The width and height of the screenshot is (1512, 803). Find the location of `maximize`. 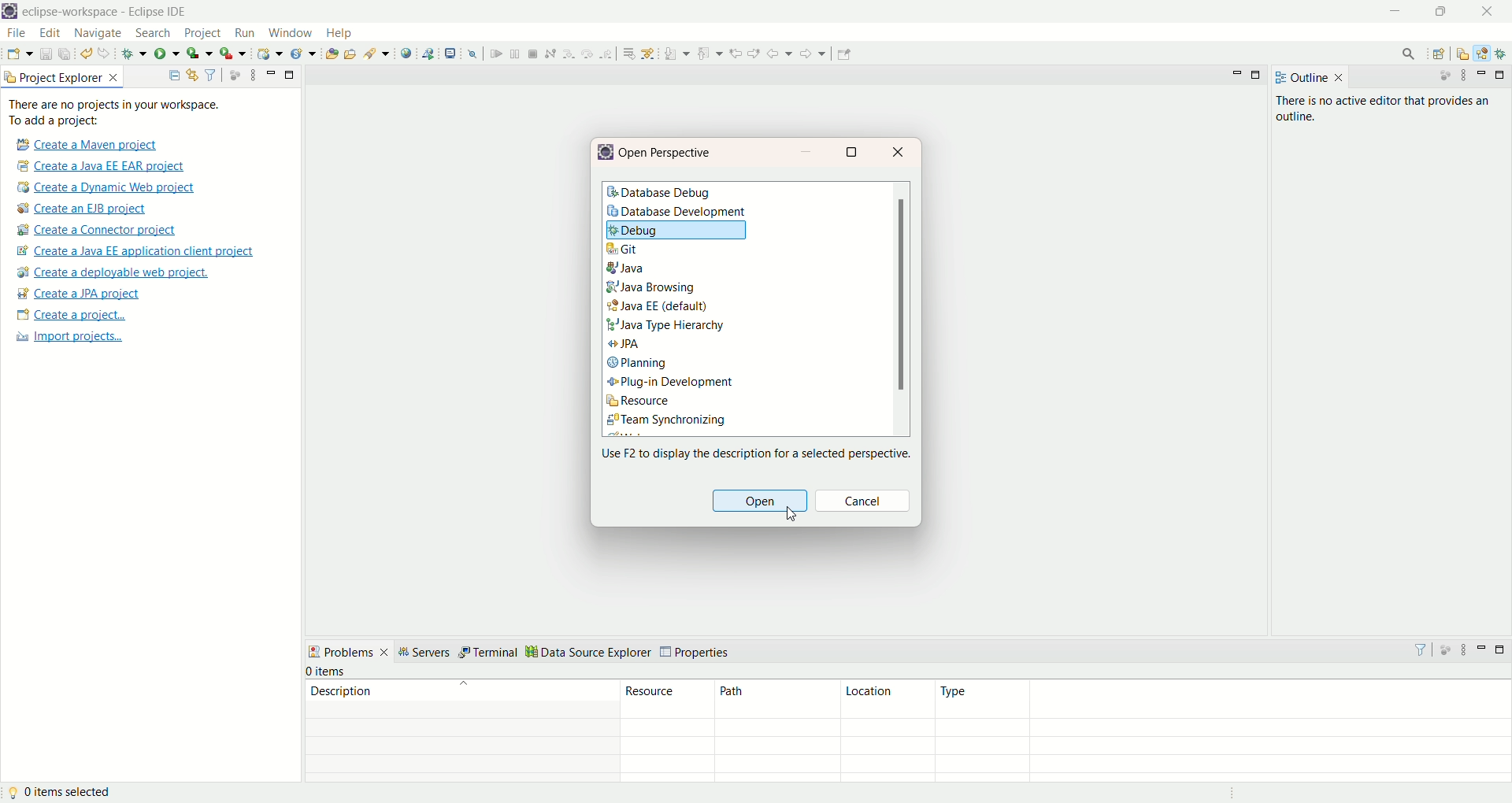

maximize is located at coordinates (1255, 77).